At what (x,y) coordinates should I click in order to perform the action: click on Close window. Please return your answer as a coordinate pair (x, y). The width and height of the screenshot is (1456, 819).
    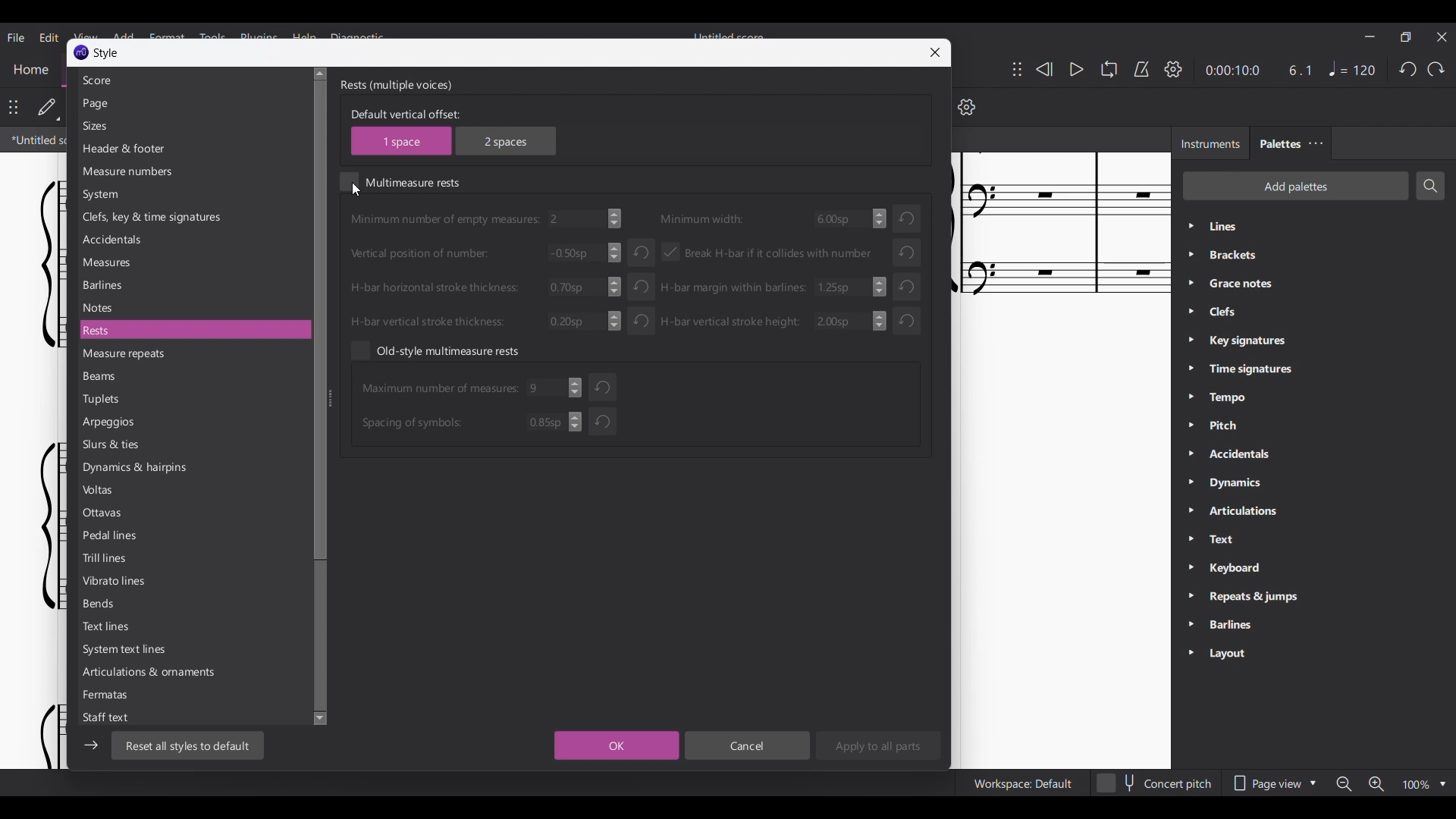
    Looking at the image, I should click on (936, 52).